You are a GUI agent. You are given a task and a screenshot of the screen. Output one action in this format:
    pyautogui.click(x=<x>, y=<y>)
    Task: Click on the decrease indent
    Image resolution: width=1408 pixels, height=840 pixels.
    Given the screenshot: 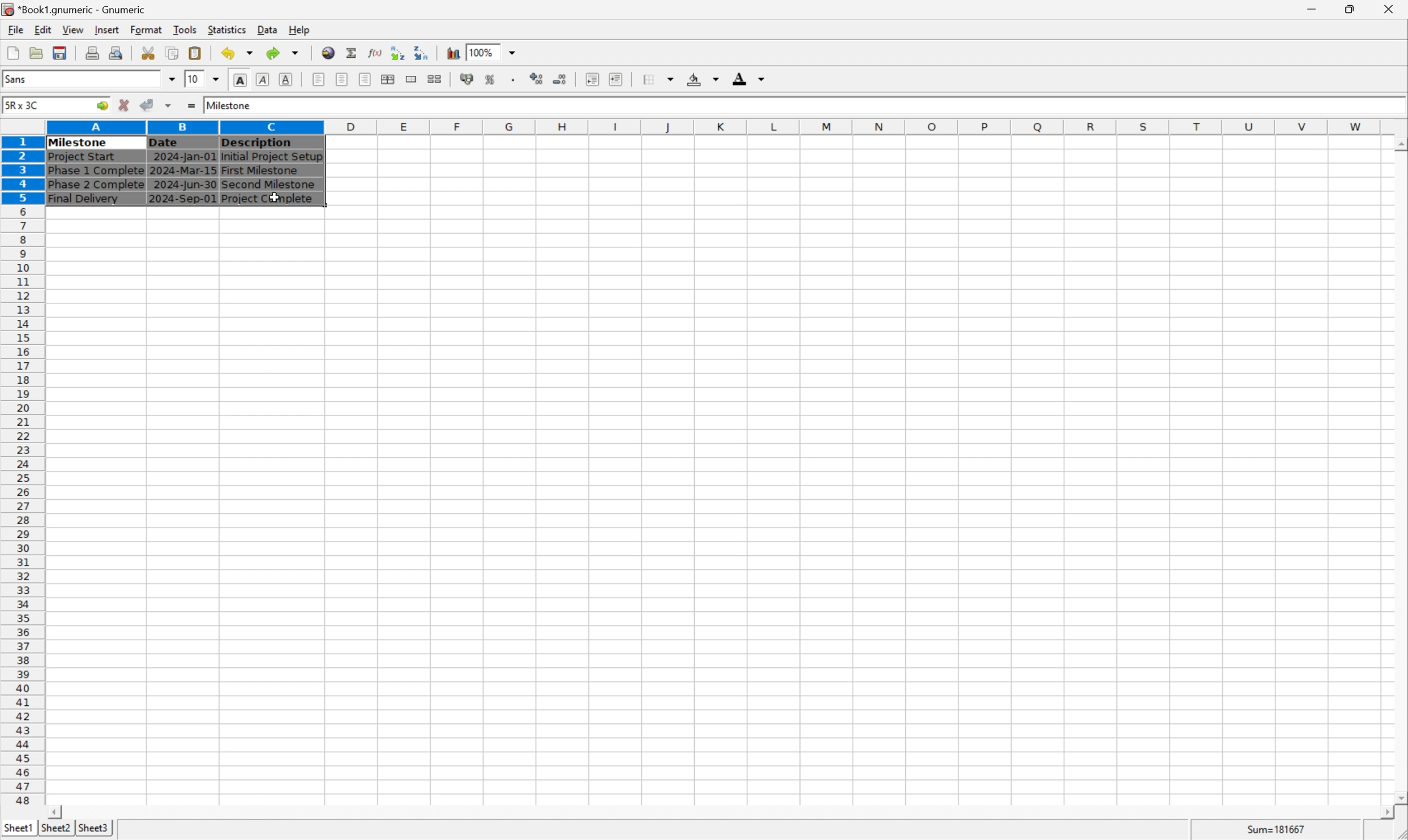 What is the action you would take?
    pyautogui.click(x=592, y=80)
    